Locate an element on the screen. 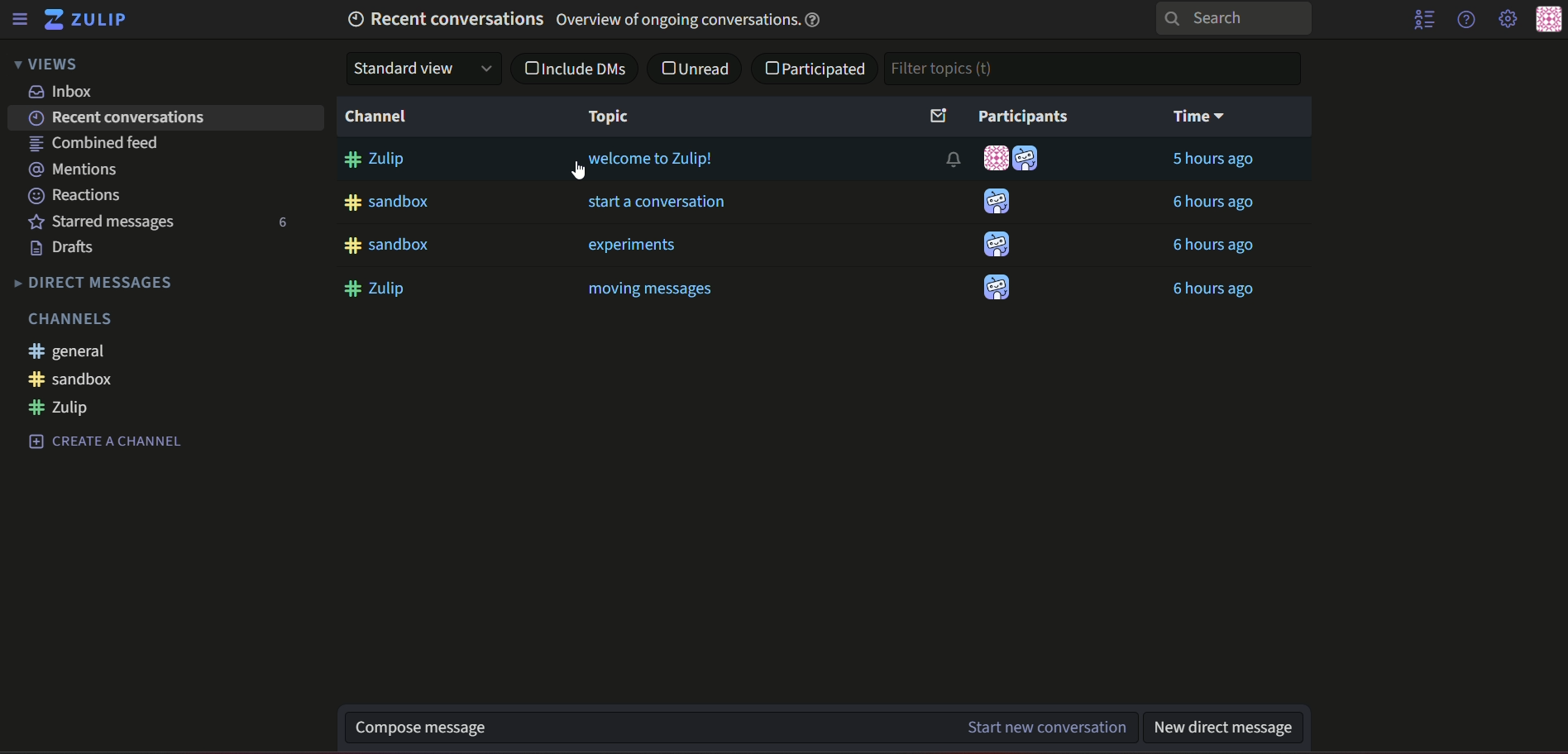  Reactions is located at coordinates (75, 193).